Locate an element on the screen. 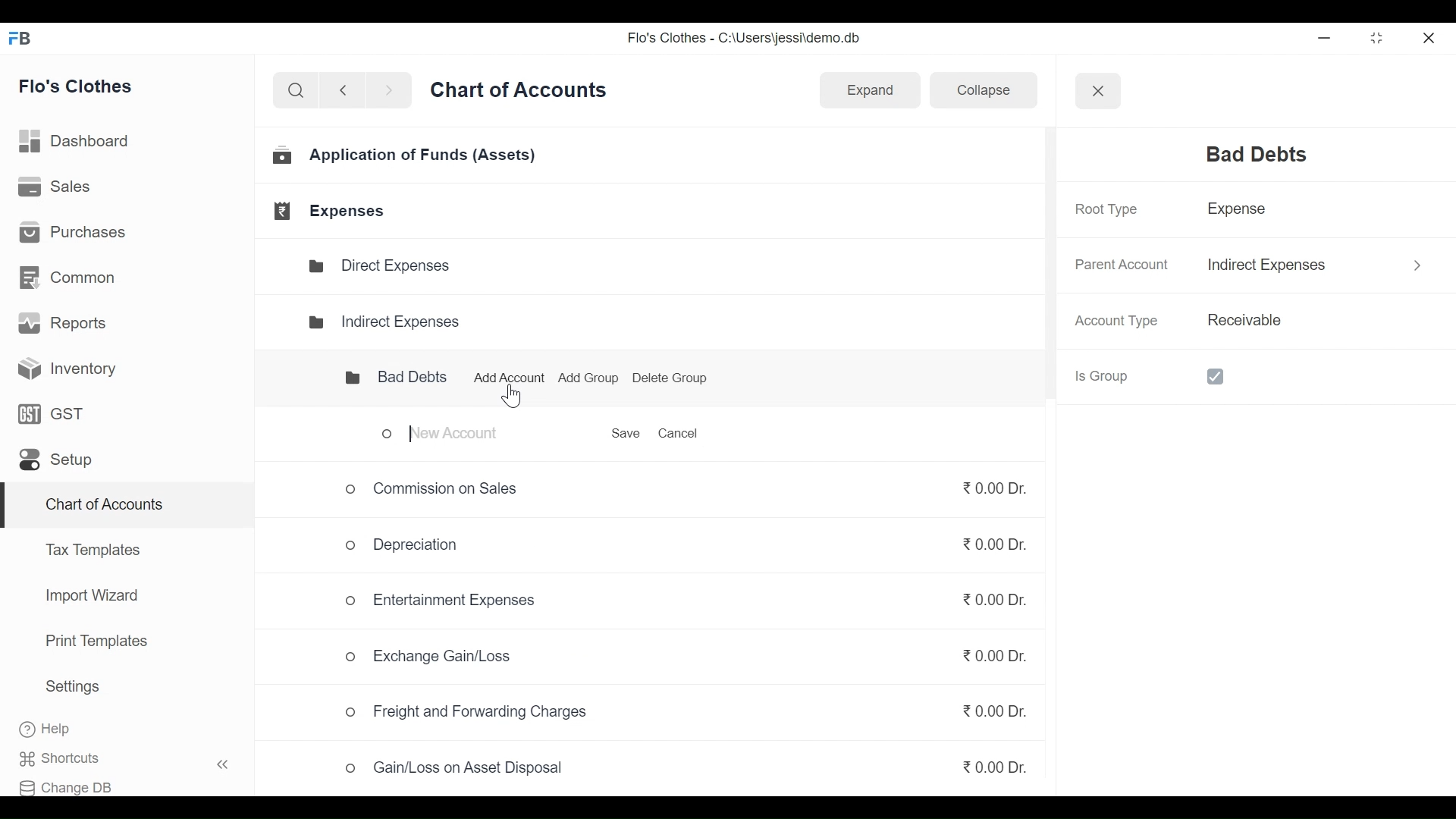 This screenshot has height=819, width=1456. Indirect Expenses is located at coordinates (1270, 265).